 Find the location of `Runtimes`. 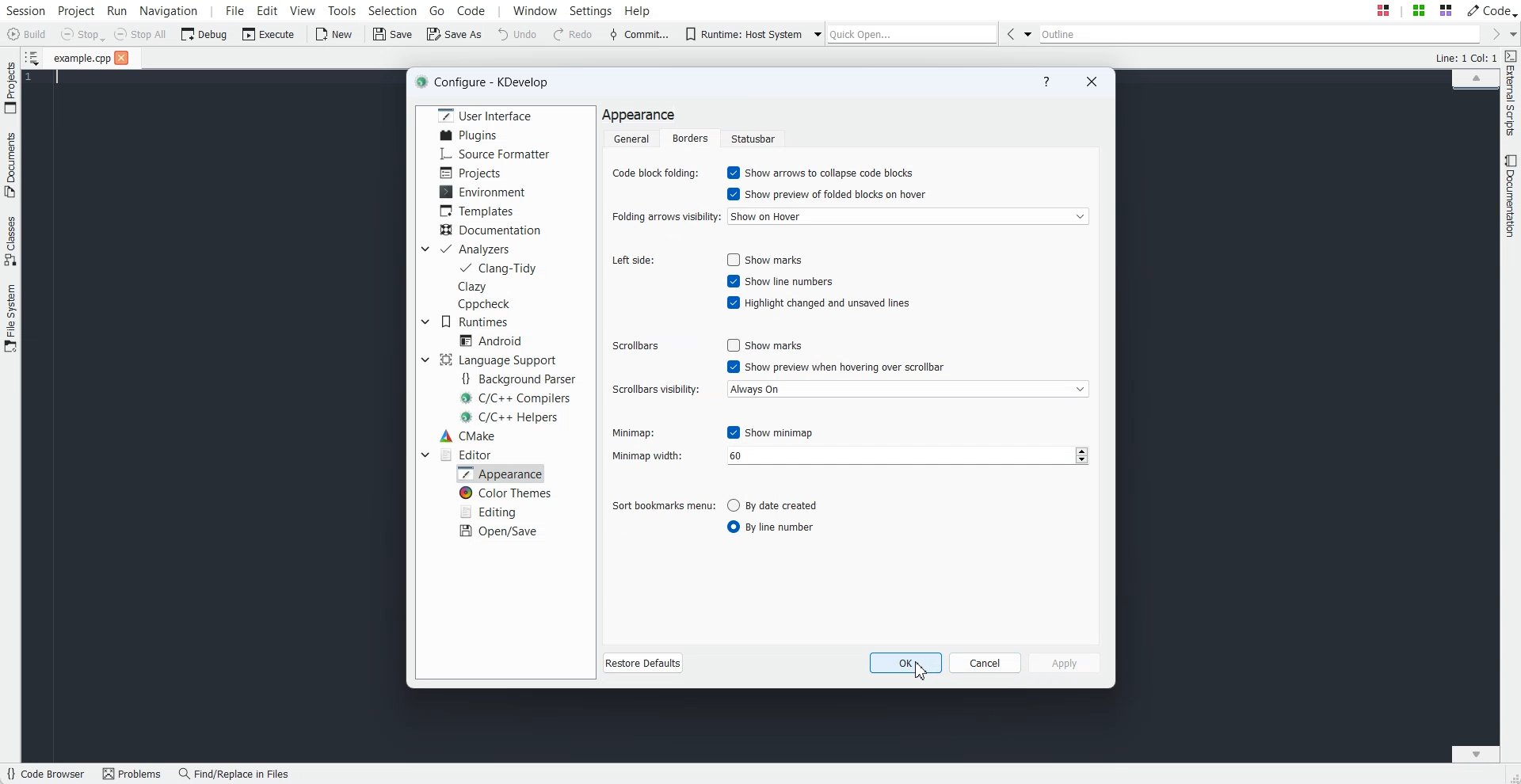

Runtimes is located at coordinates (475, 321).